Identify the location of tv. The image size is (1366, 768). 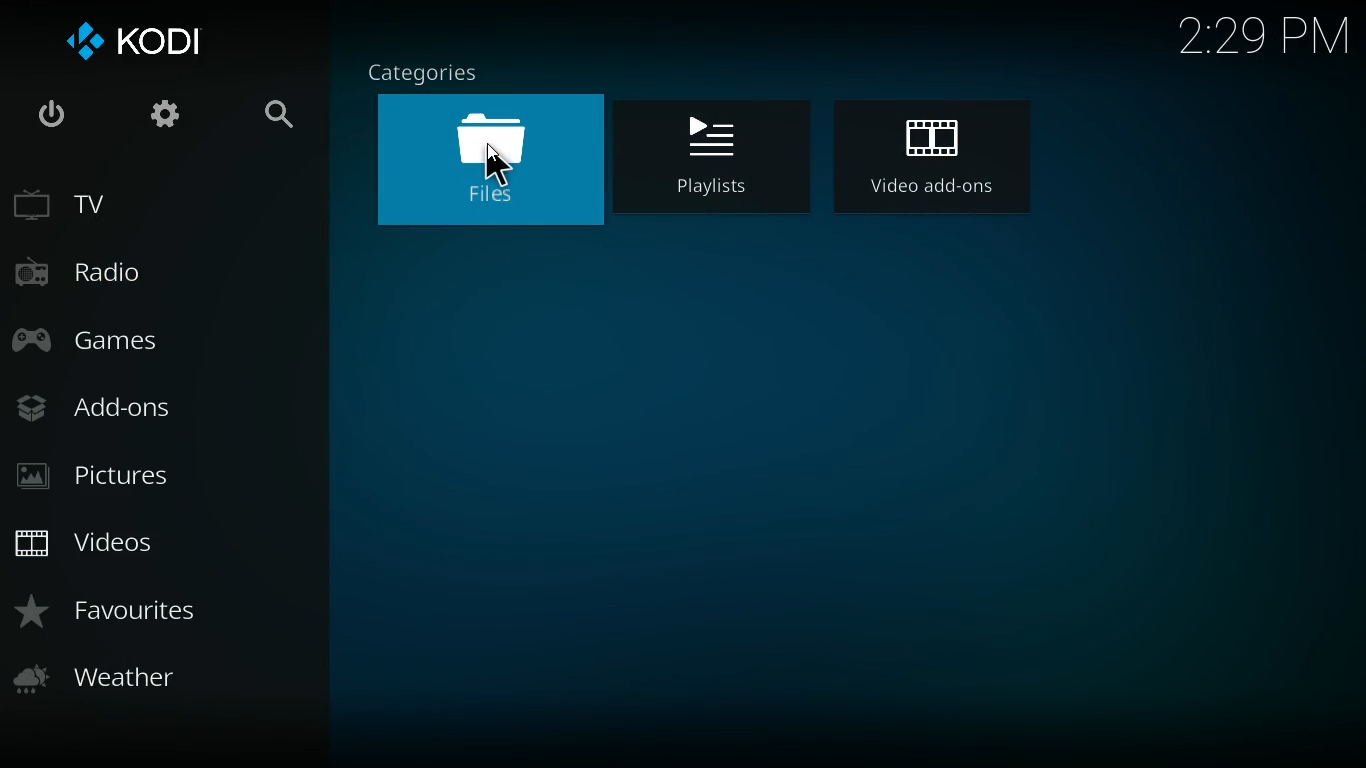
(158, 208).